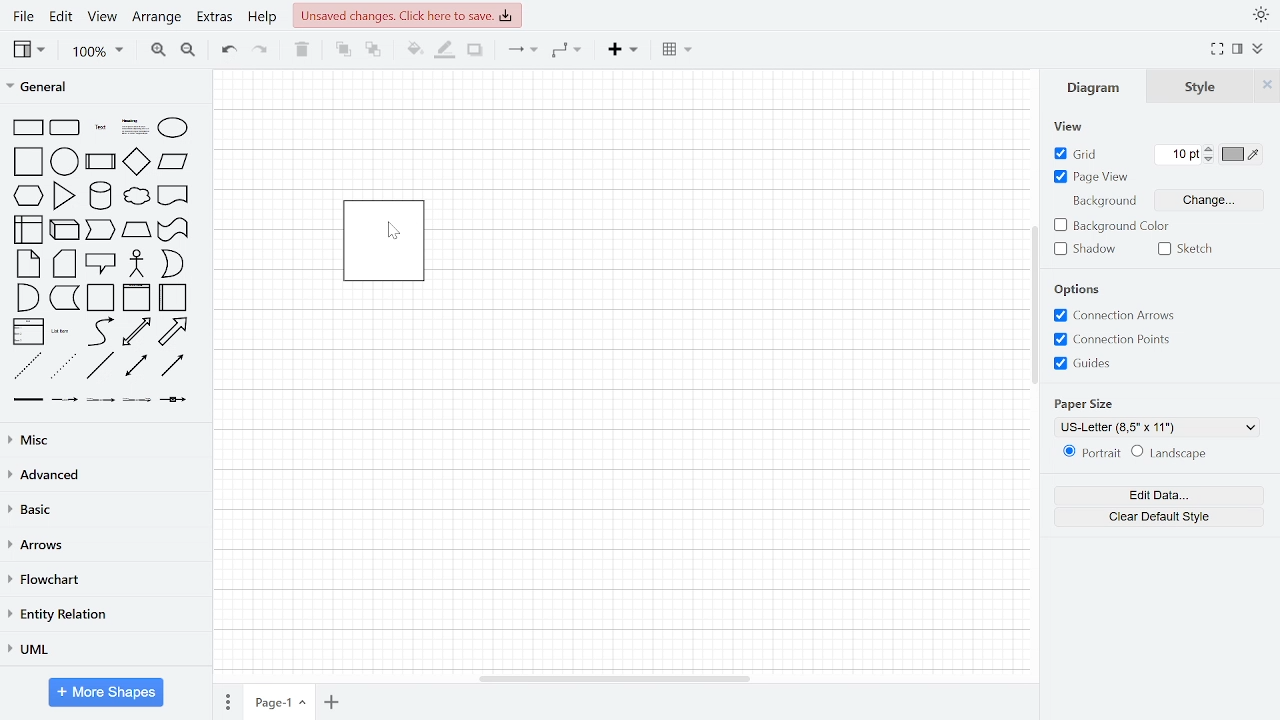 This screenshot has width=1280, height=720. Describe the element at coordinates (99, 579) in the screenshot. I see `flowchart` at that location.